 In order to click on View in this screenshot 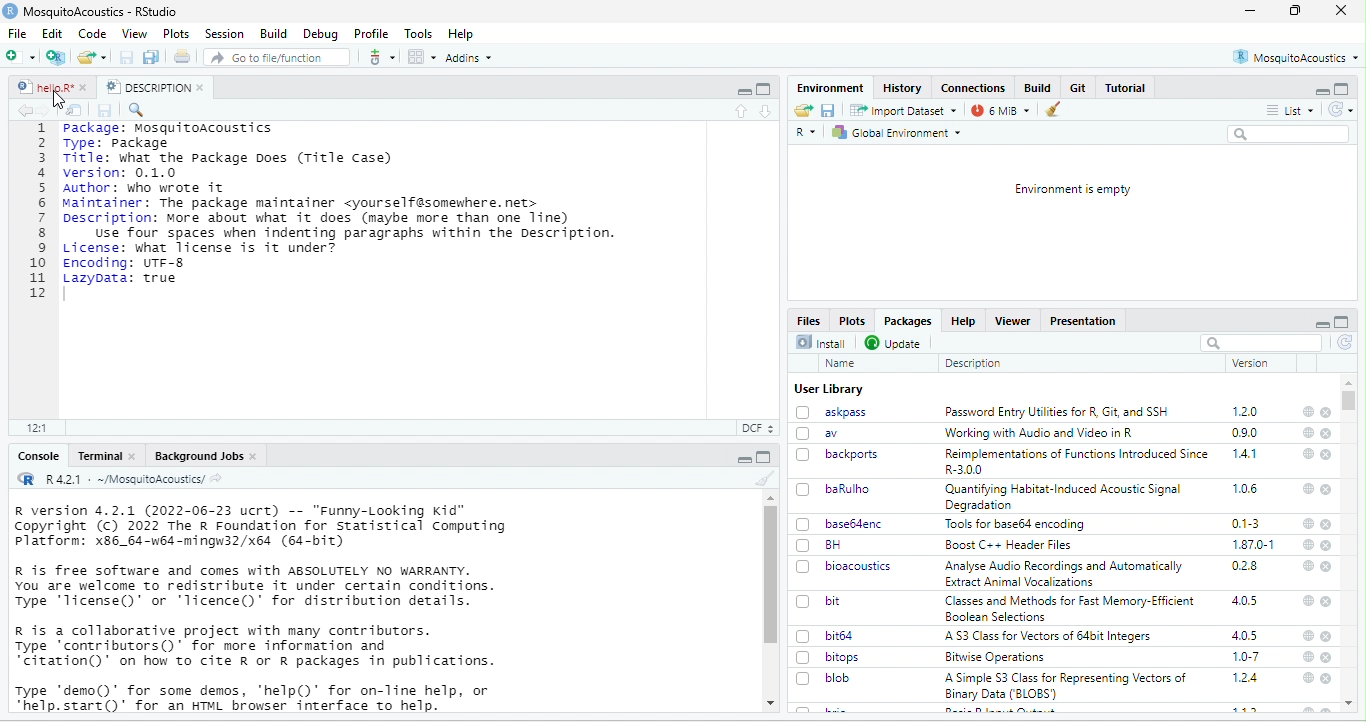, I will do `click(134, 32)`.